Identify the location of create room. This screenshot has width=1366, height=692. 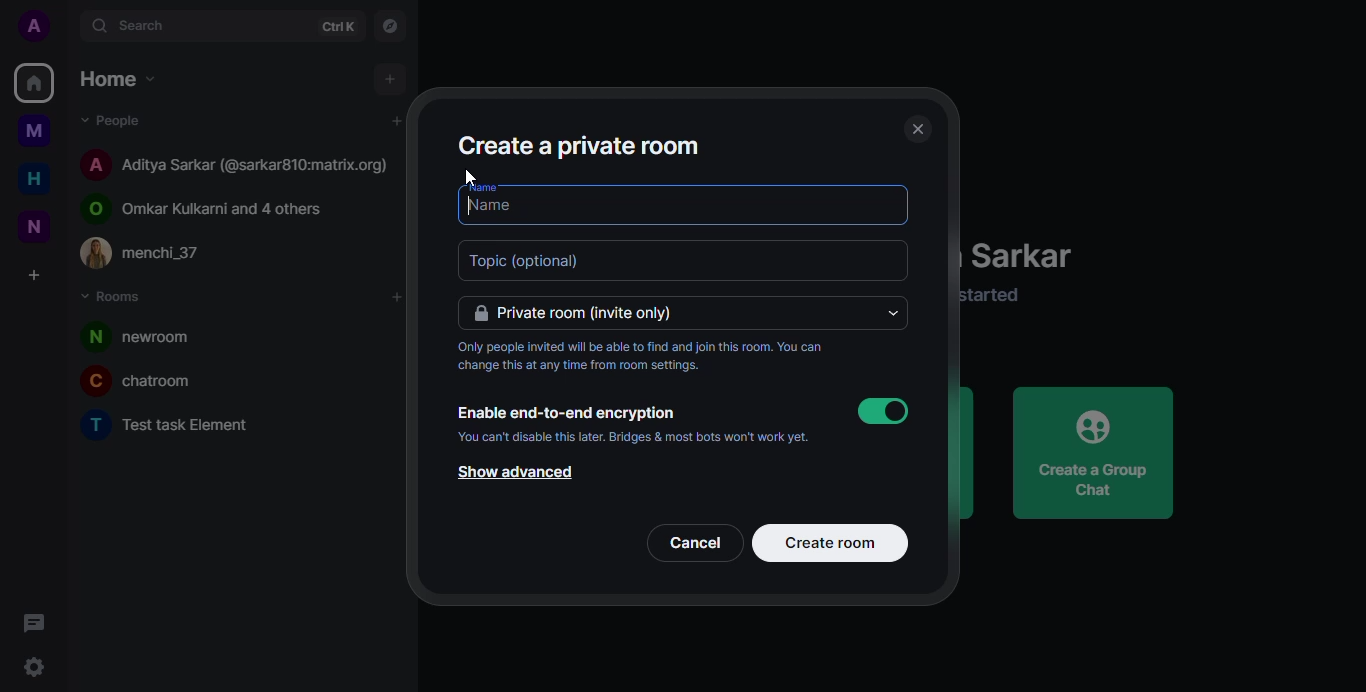
(829, 542).